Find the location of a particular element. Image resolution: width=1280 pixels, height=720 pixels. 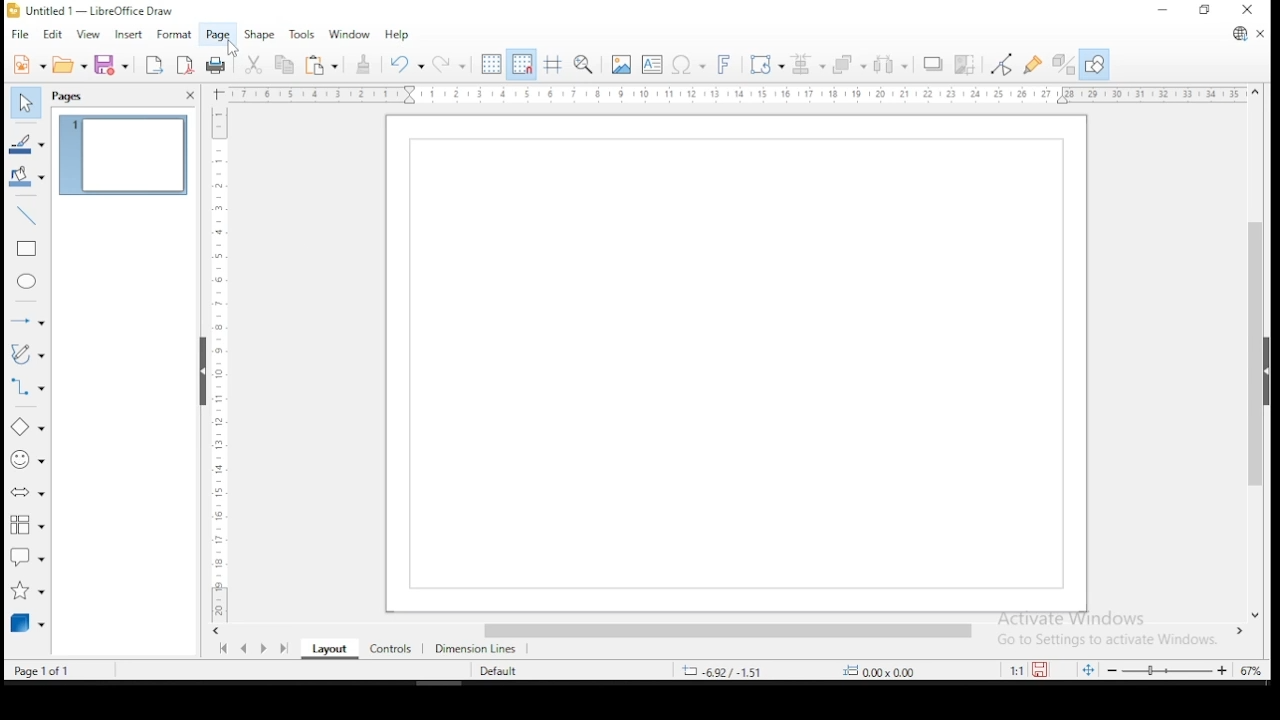

callout shapes is located at coordinates (27, 559).